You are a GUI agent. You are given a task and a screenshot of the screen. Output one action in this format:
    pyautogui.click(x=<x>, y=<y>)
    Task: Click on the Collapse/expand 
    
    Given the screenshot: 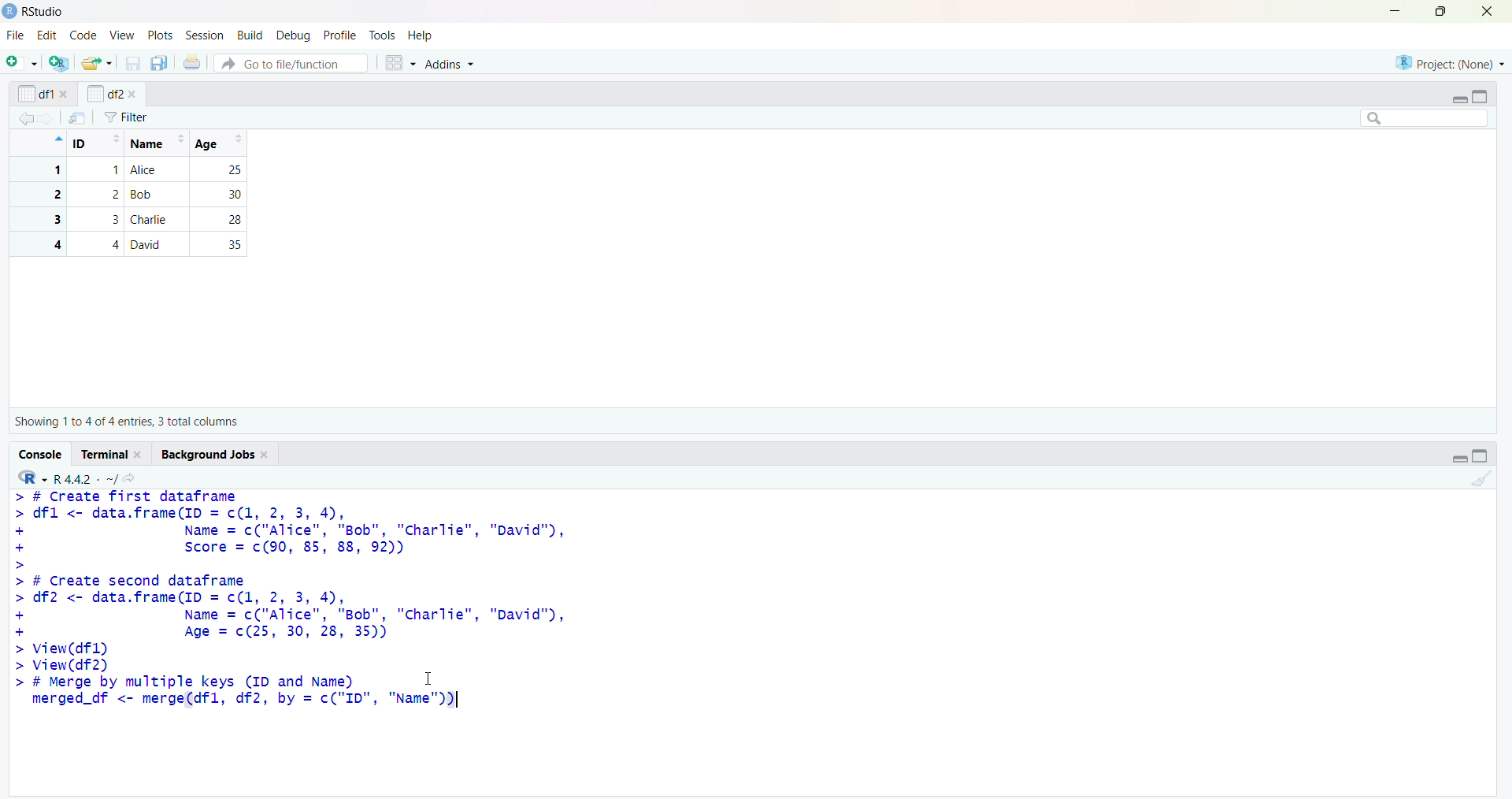 What is the action you would take?
    pyautogui.click(x=1459, y=459)
    